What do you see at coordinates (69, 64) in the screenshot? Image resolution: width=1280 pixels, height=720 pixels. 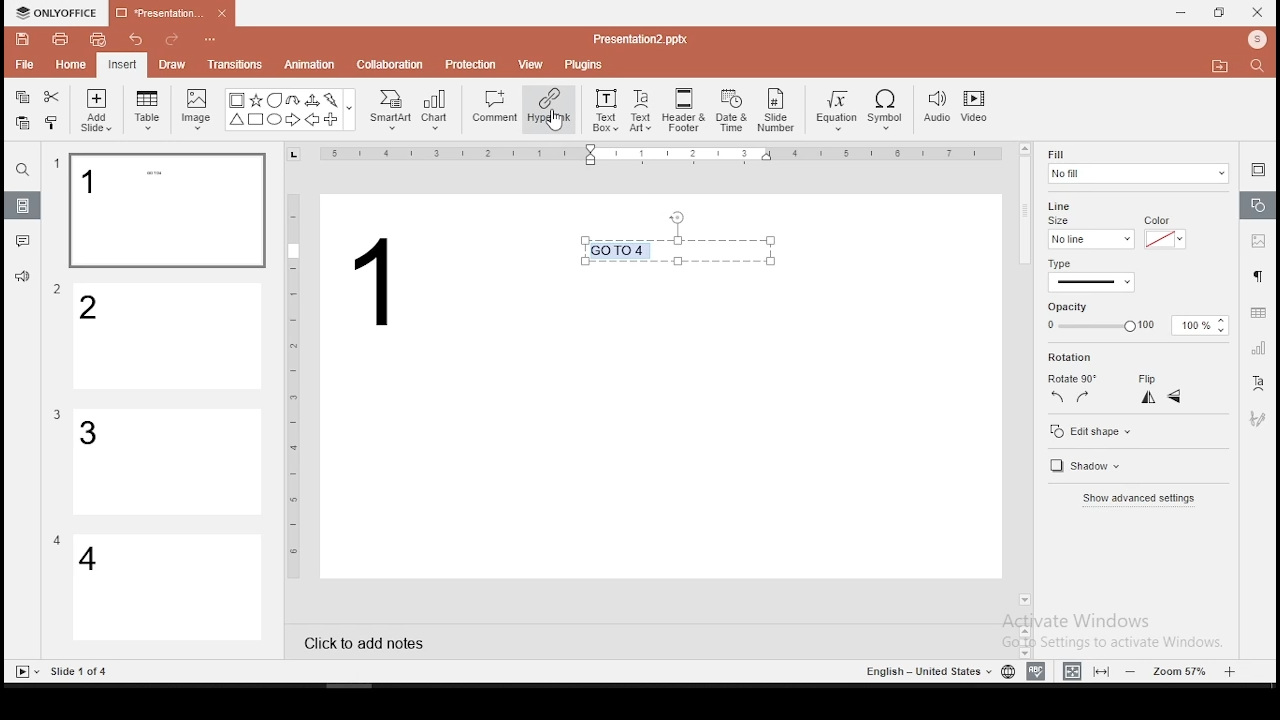 I see `home` at bounding box center [69, 64].